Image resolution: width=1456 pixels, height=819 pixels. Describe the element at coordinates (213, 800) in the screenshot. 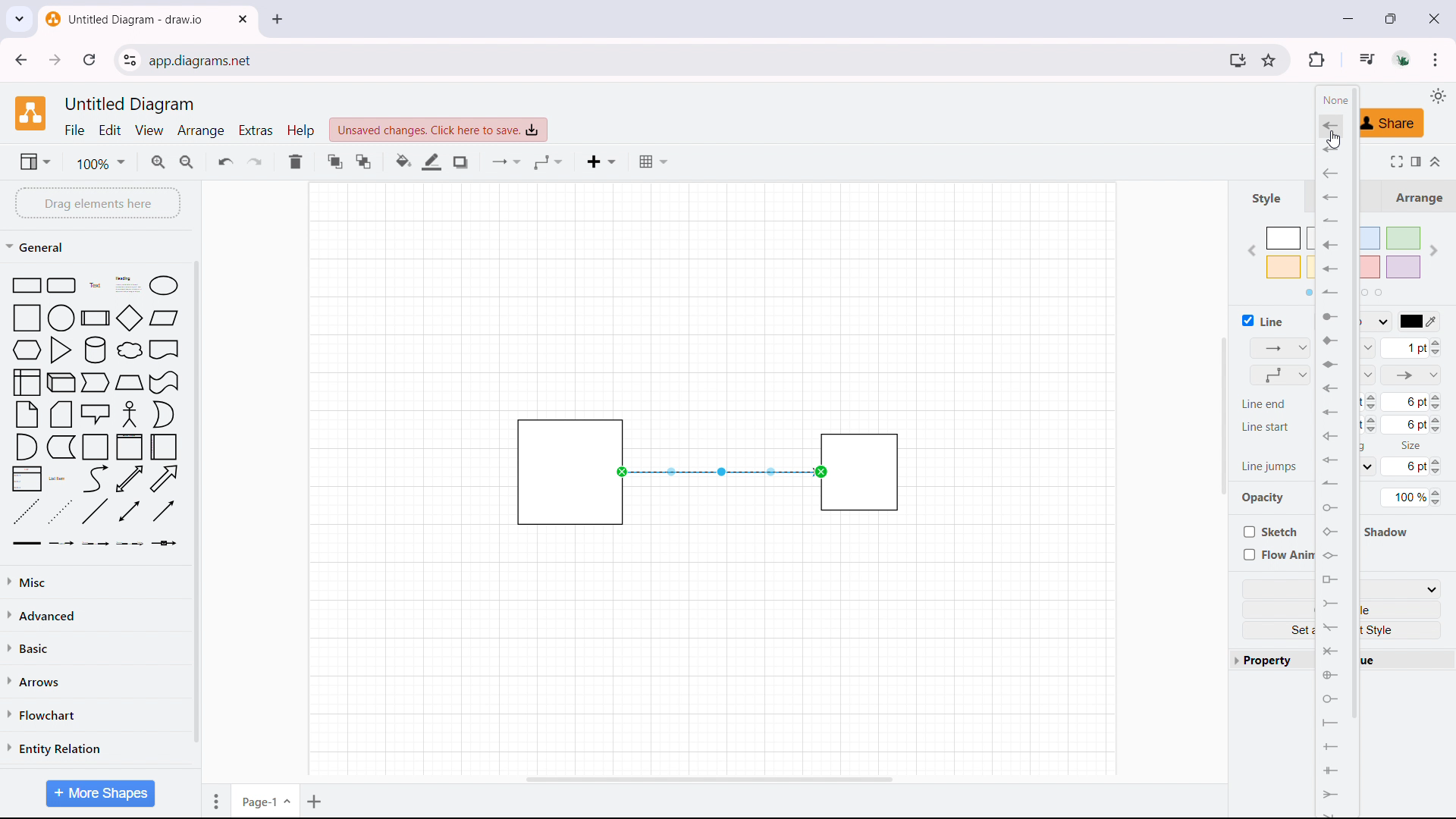

I see `move` at that location.